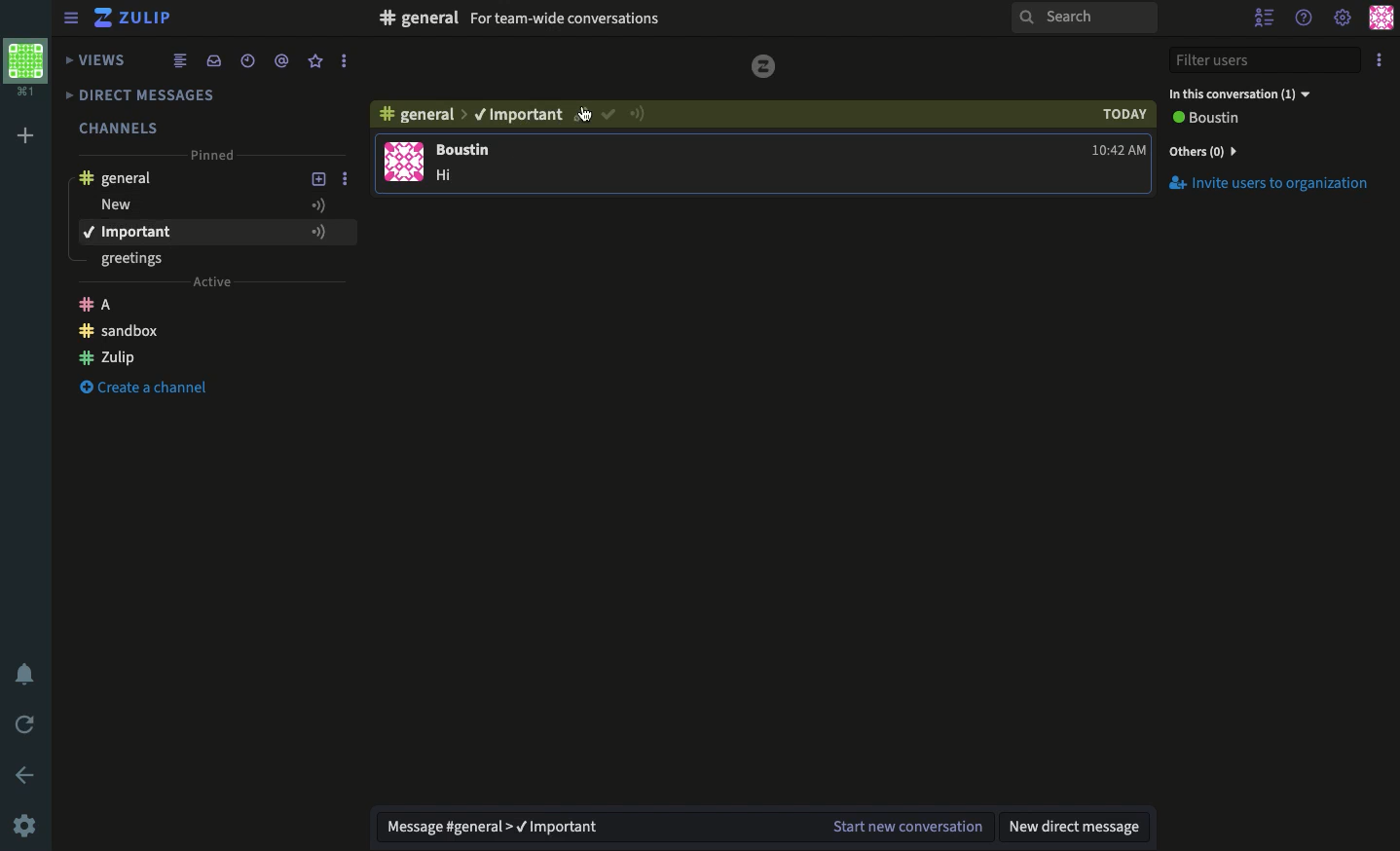 This screenshot has height=851, width=1400. Describe the element at coordinates (645, 116) in the screenshot. I see `Urget` at that location.